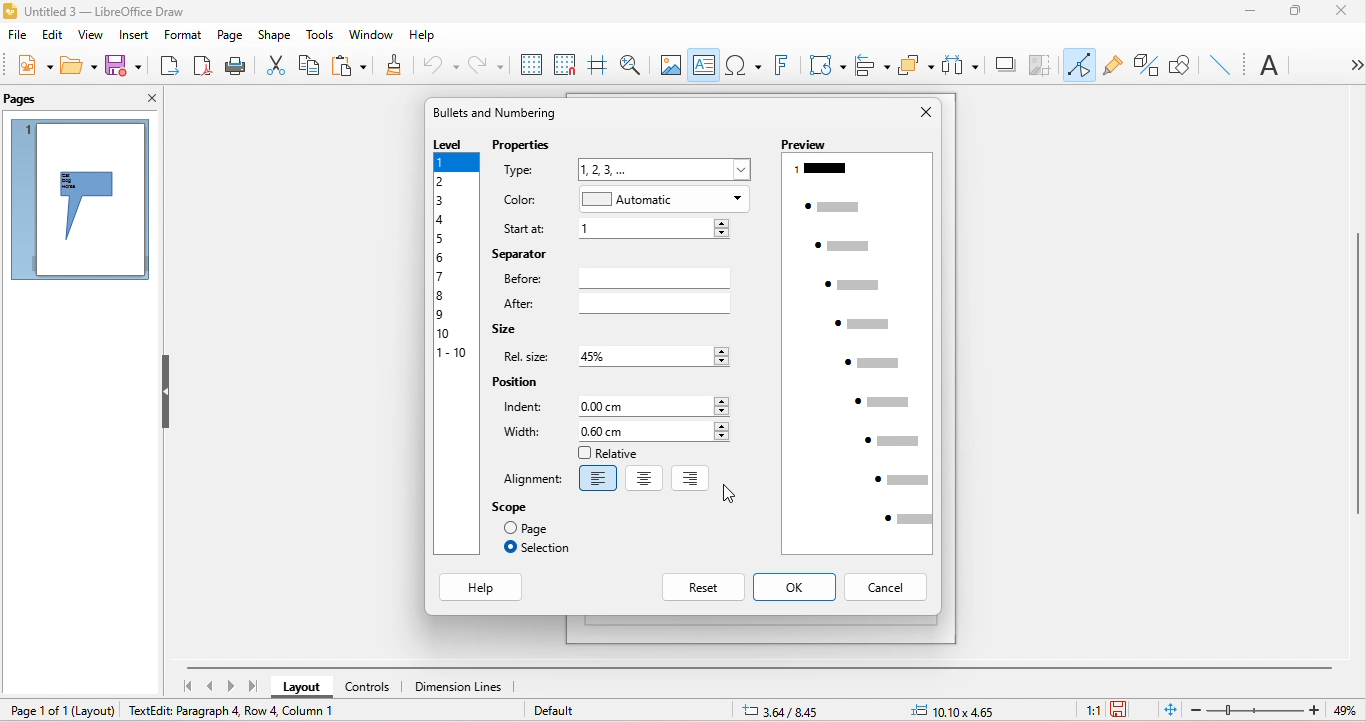 The width and height of the screenshot is (1366, 722). Describe the element at coordinates (524, 201) in the screenshot. I see `color` at that location.